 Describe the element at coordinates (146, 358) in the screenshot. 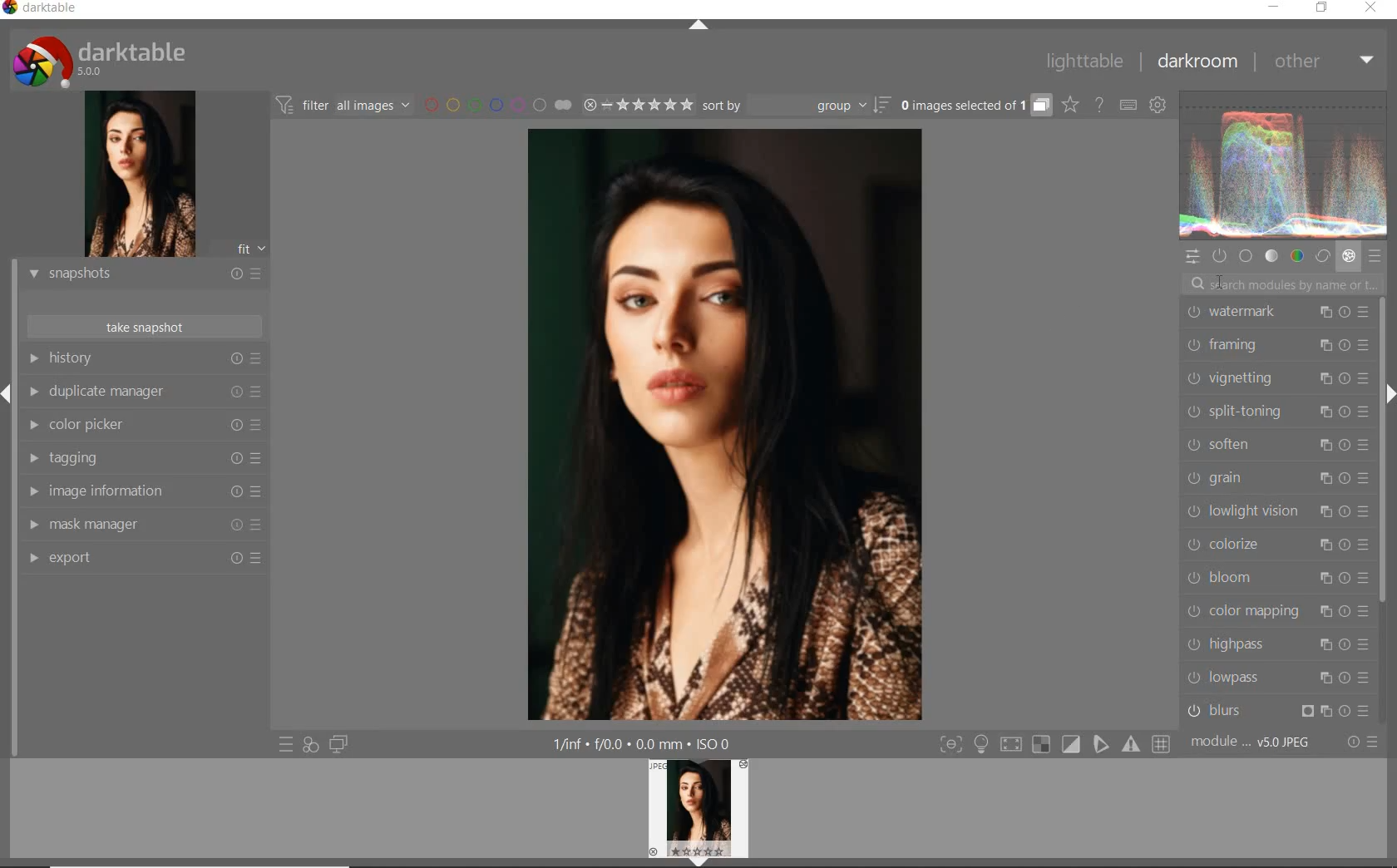

I see `history` at that location.